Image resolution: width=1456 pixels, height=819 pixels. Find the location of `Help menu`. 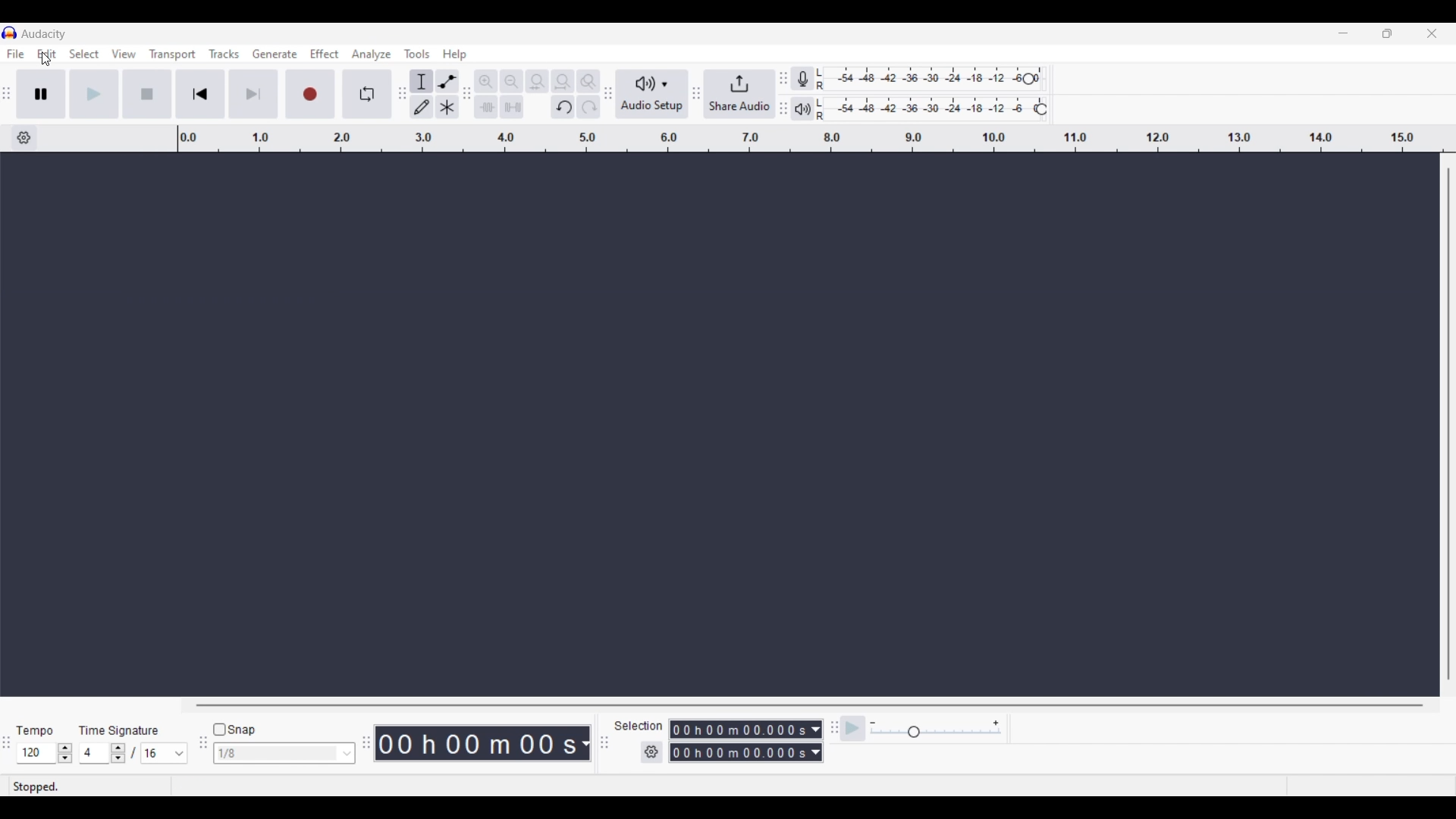

Help menu is located at coordinates (454, 55).